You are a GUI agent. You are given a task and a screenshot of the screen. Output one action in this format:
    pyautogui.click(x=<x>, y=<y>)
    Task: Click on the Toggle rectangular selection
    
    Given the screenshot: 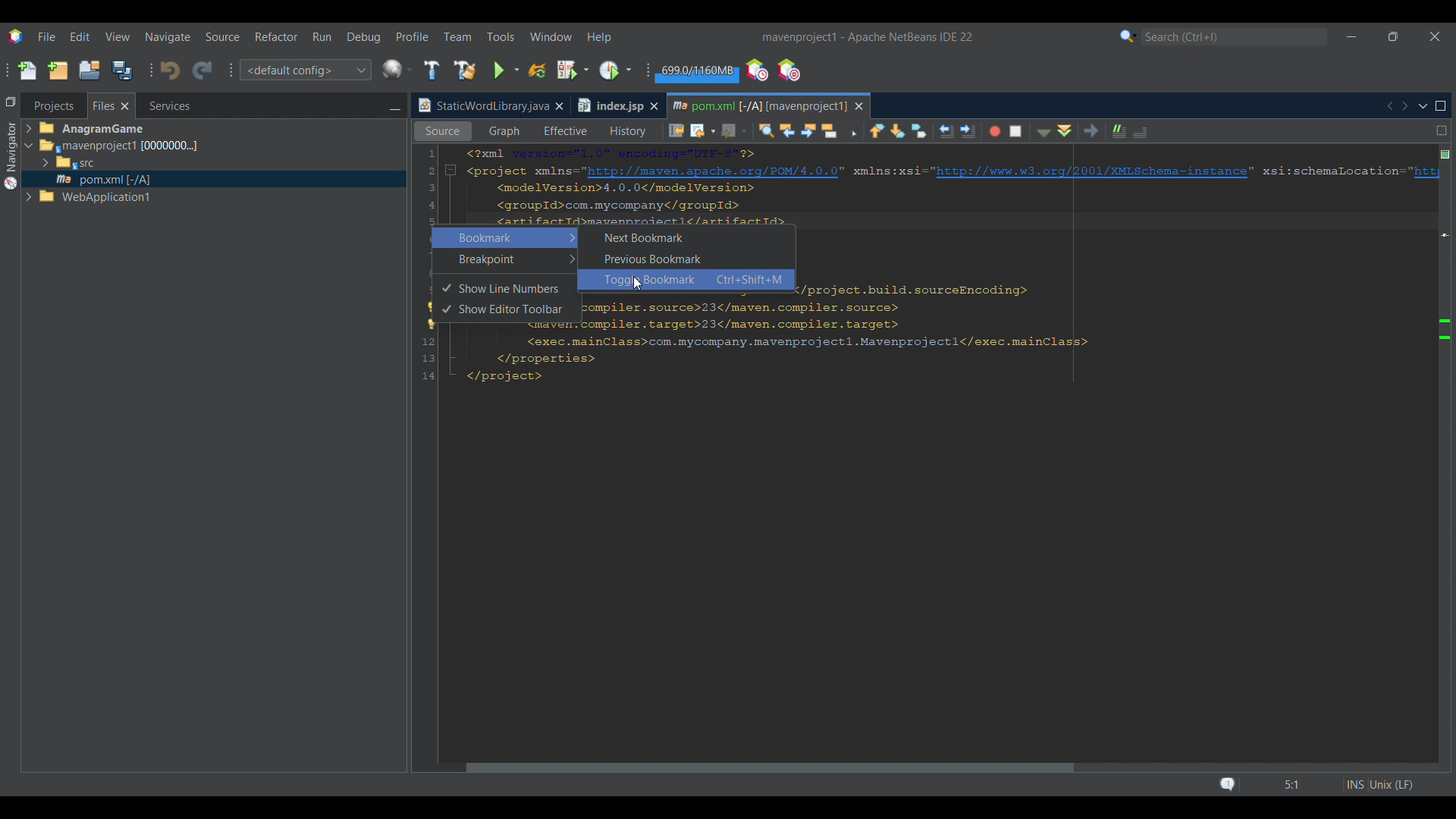 What is the action you would take?
    pyautogui.click(x=852, y=132)
    